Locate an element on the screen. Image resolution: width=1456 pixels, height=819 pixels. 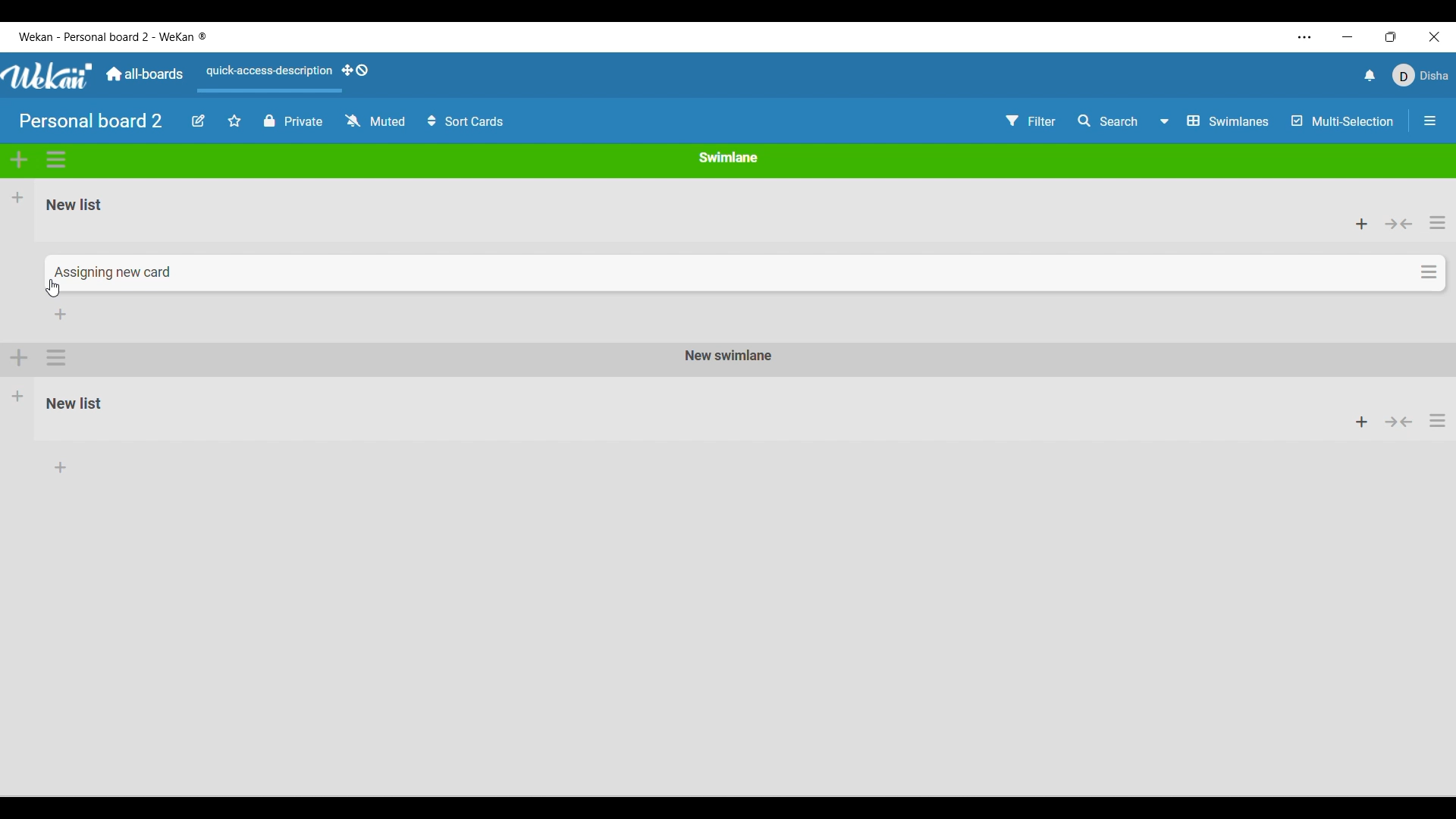
Filter is located at coordinates (1031, 121).